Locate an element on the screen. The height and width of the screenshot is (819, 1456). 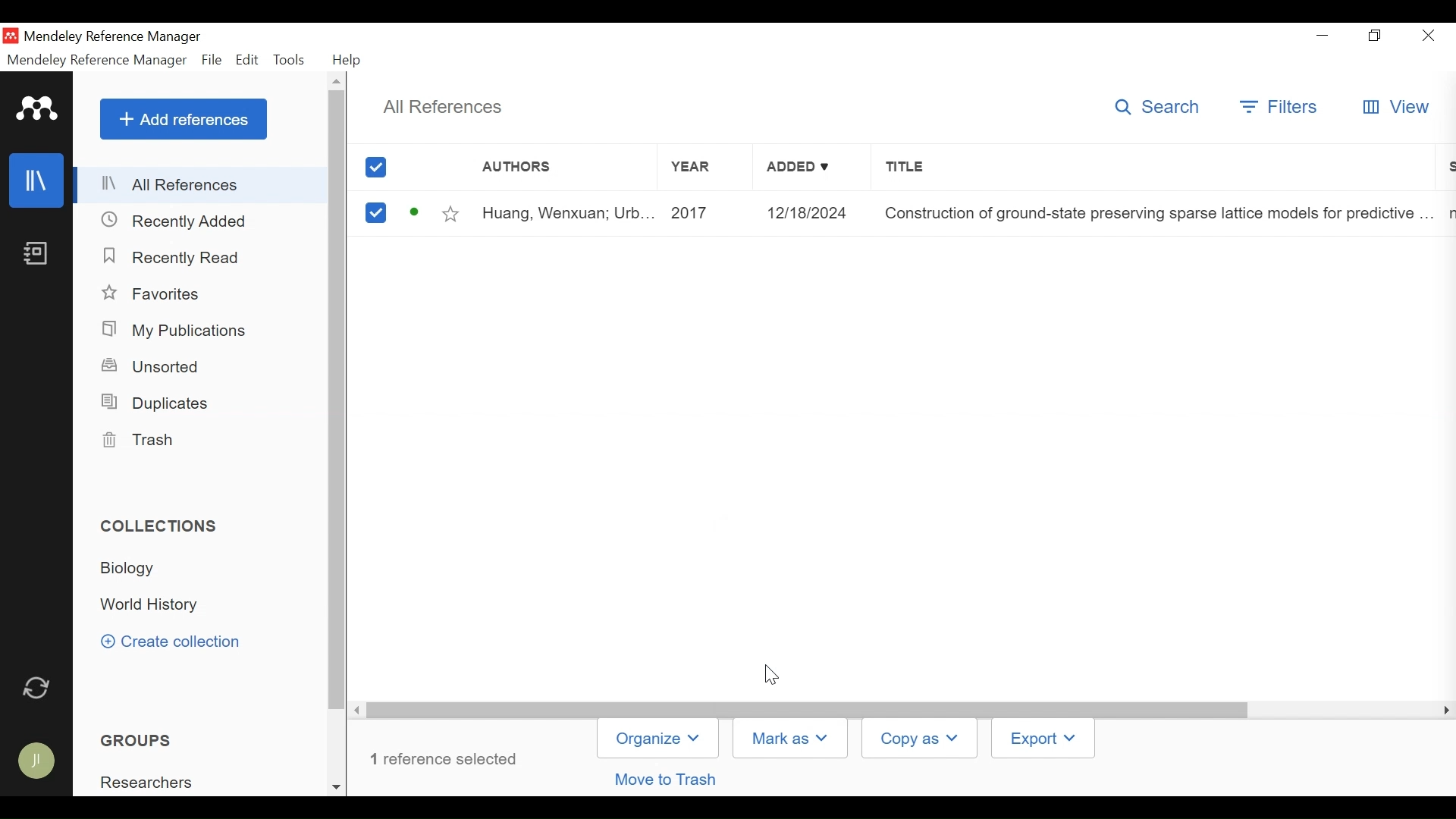
Sync is located at coordinates (39, 690).